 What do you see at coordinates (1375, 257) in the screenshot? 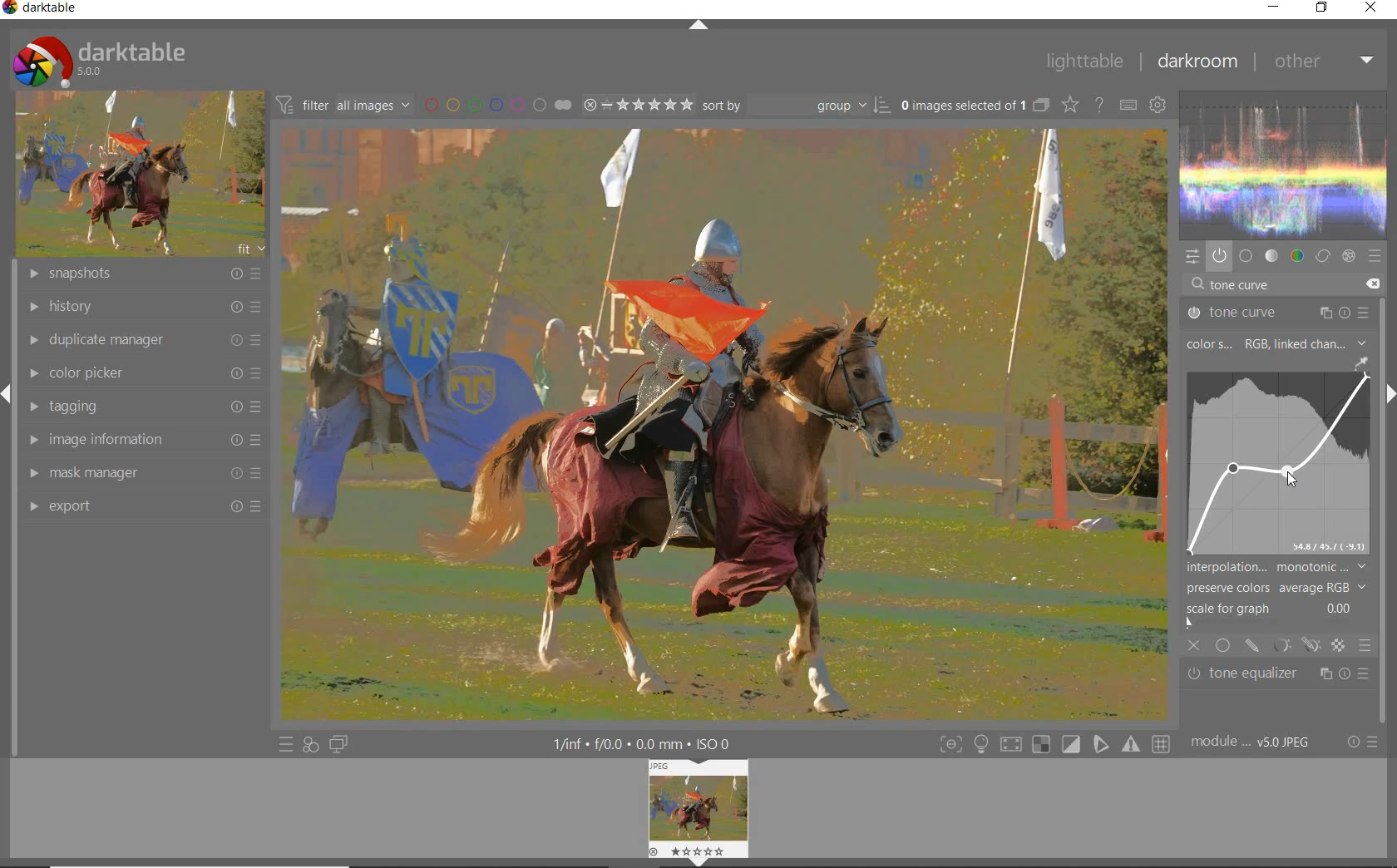
I see `presets` at bounding box center [1375, 257].